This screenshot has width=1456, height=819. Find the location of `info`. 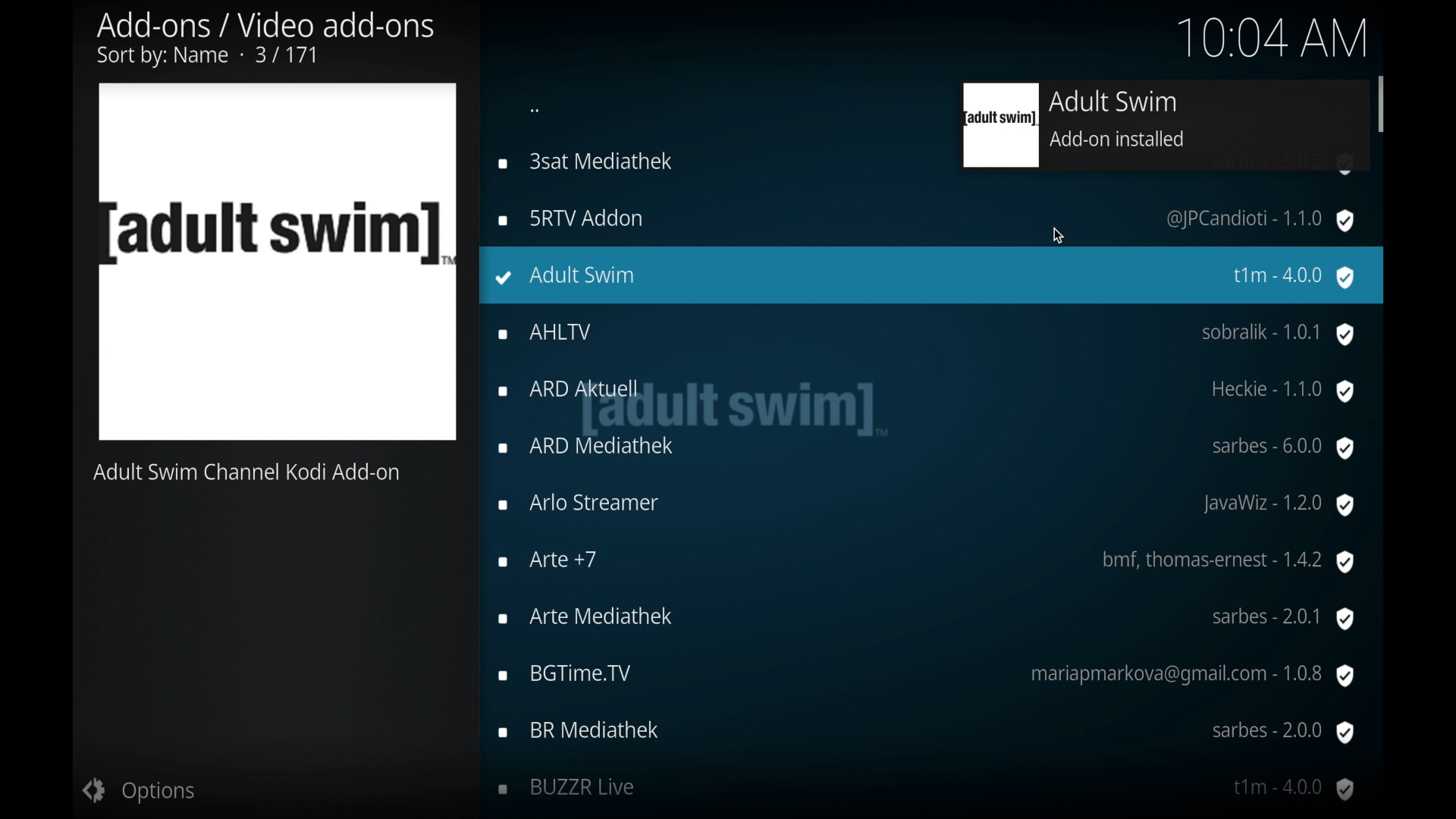

info is located at coordinates (247, 472).